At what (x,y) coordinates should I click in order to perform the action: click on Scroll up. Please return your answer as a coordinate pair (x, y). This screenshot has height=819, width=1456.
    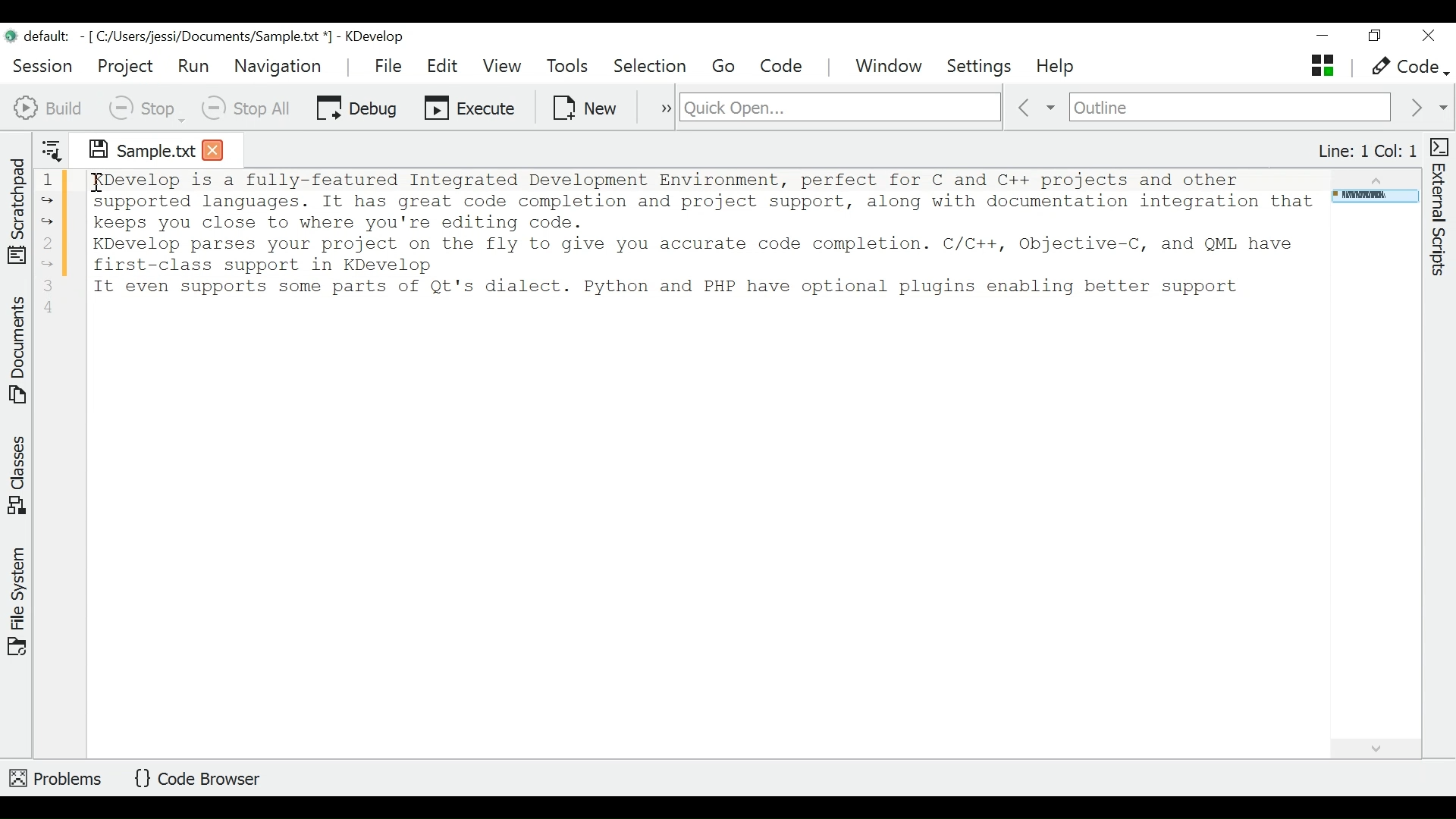
    Looking at the image, I should click on (1373, 177).